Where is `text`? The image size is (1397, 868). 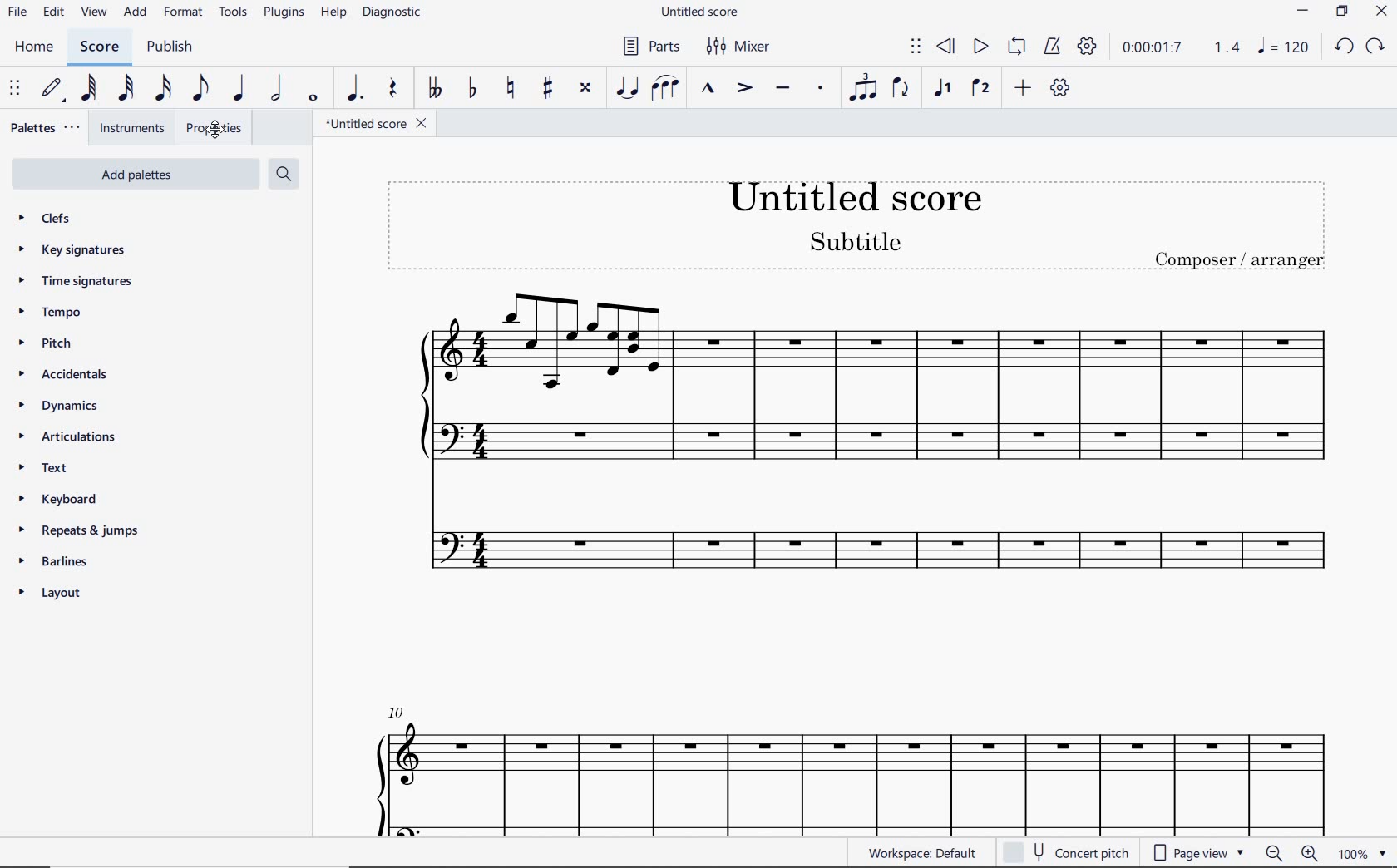
text is located at coordinates (50, 473).